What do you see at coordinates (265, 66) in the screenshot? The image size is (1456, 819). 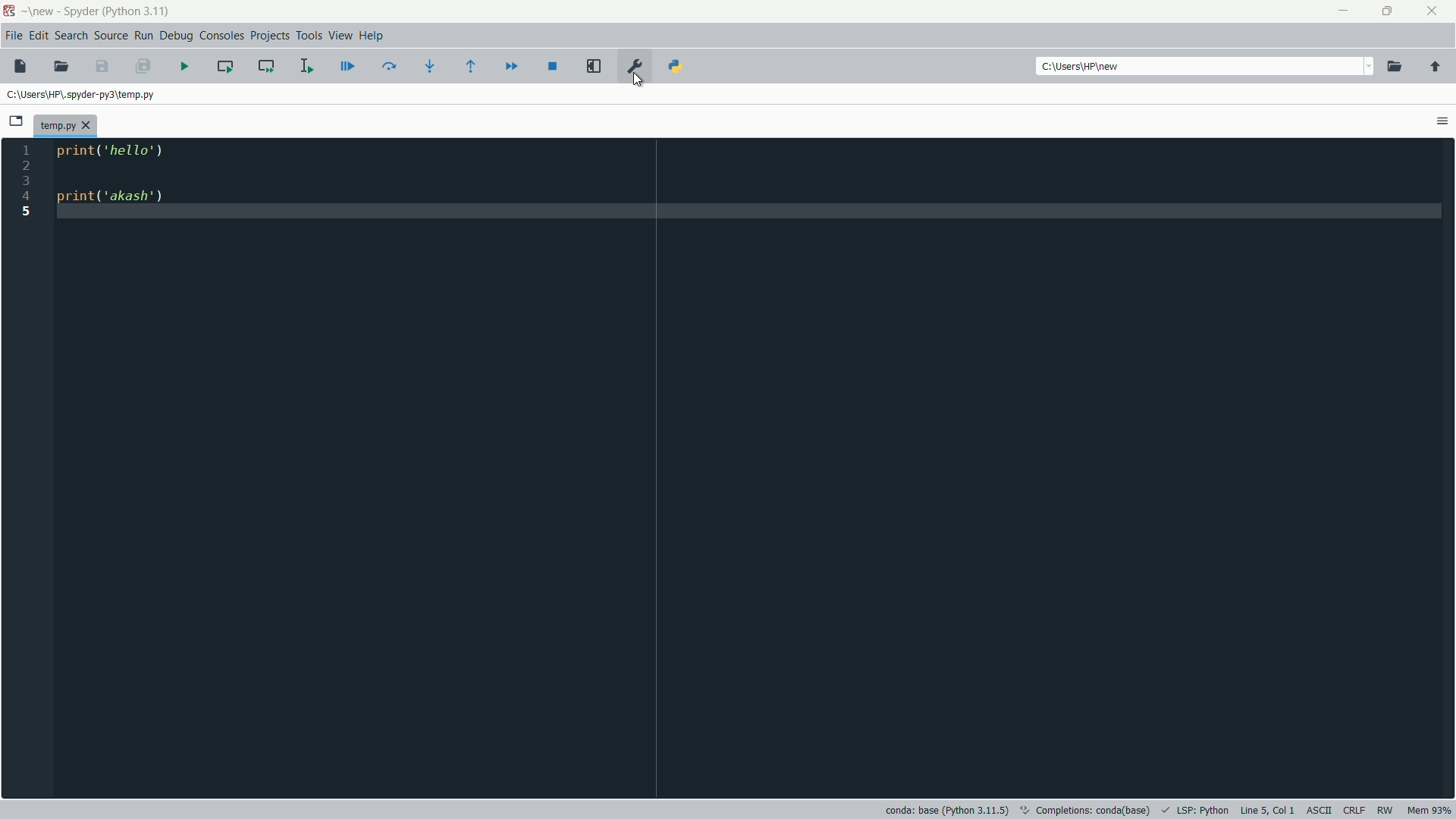 I see `run current cell and go to the next one` at bounding box center [265, 66].